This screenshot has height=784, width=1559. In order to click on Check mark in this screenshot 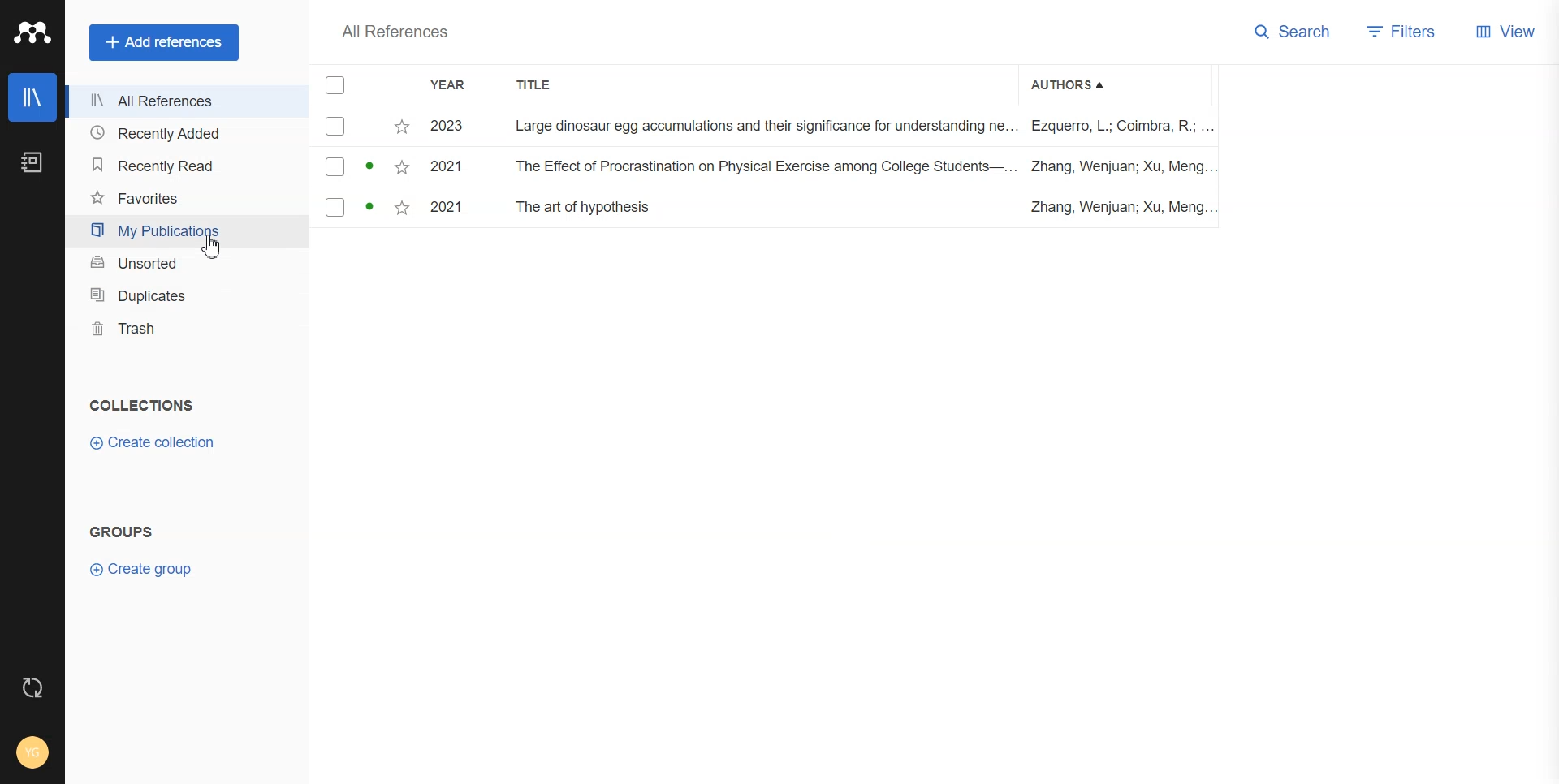, I will do `click(337, 85)`.